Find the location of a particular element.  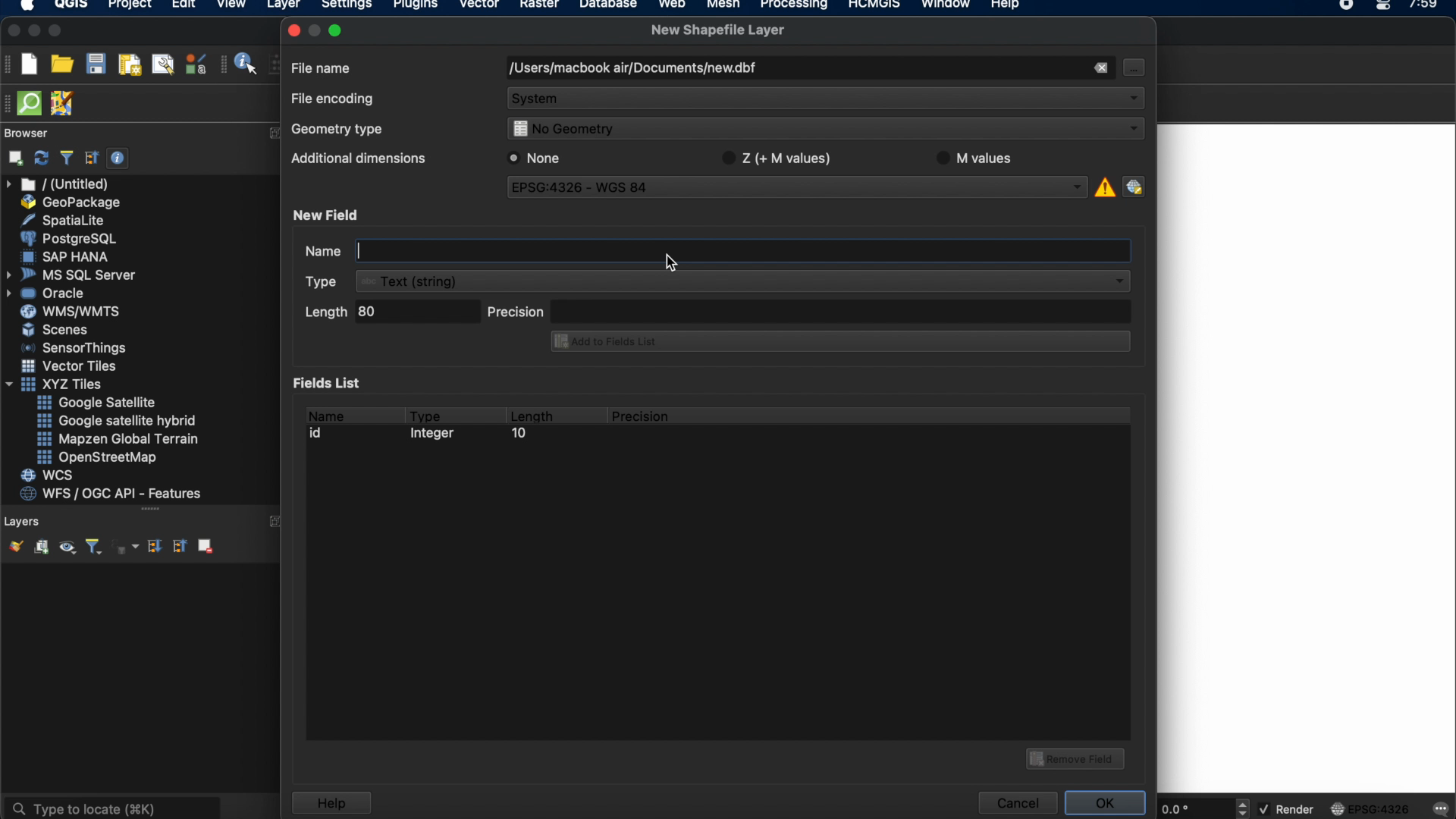

edit is located at coordinates (184, 6).